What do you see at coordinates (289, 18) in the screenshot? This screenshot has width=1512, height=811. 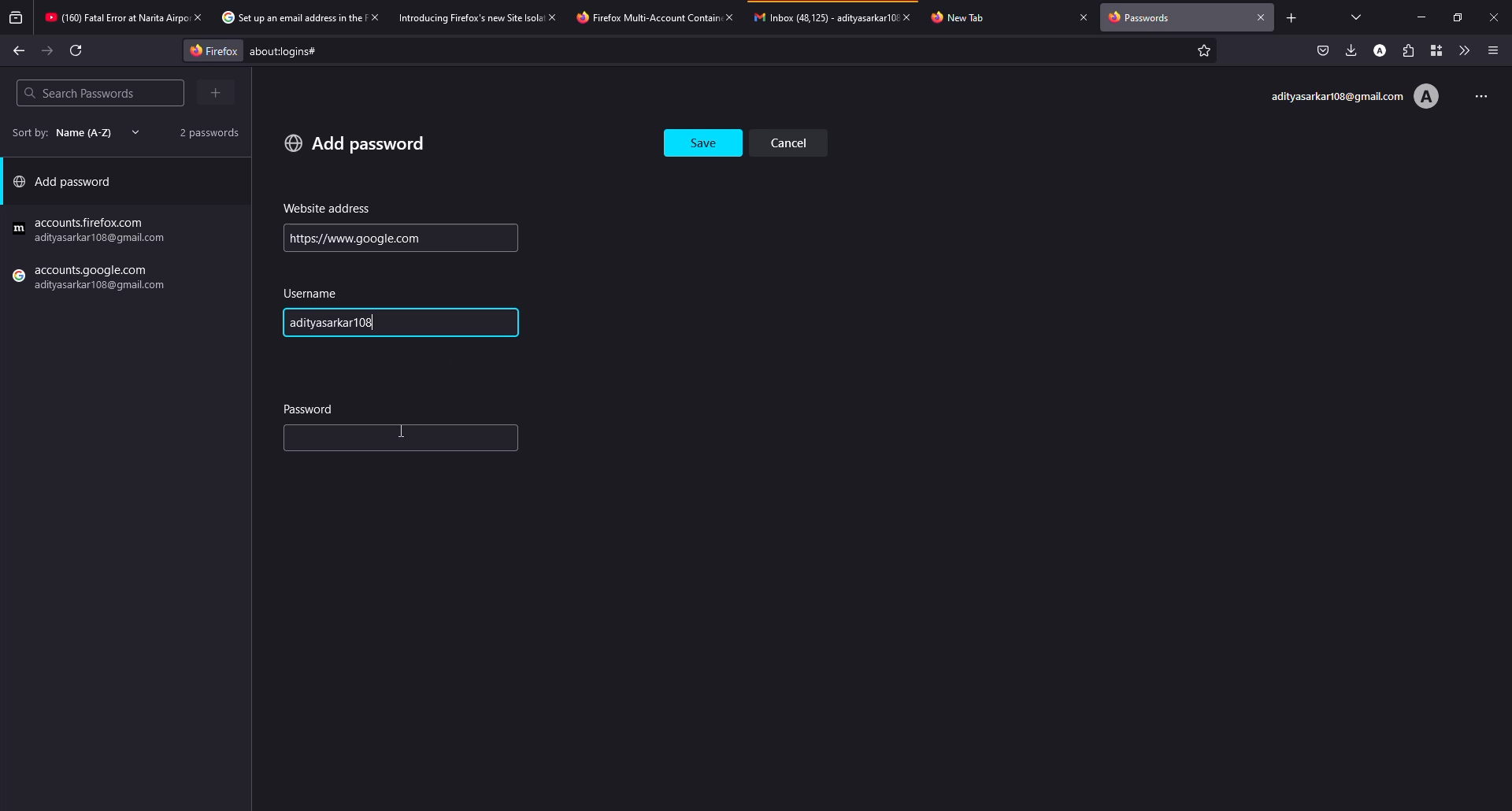 I see `tab` at bounding box center [289, 18].